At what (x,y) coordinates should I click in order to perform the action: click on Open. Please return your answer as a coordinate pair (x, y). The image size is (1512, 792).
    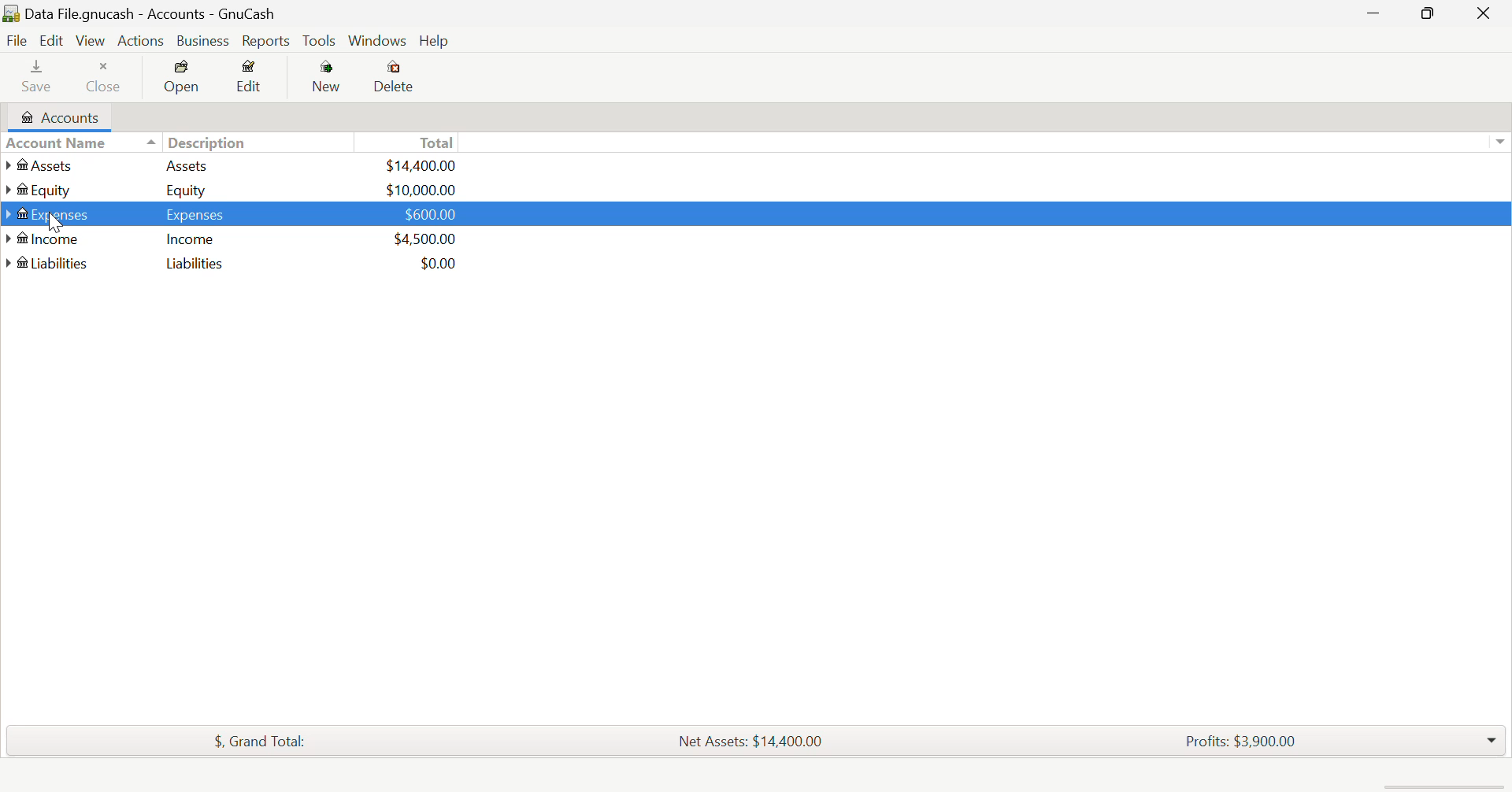
    Looking at the image, I should click on (184, 79).